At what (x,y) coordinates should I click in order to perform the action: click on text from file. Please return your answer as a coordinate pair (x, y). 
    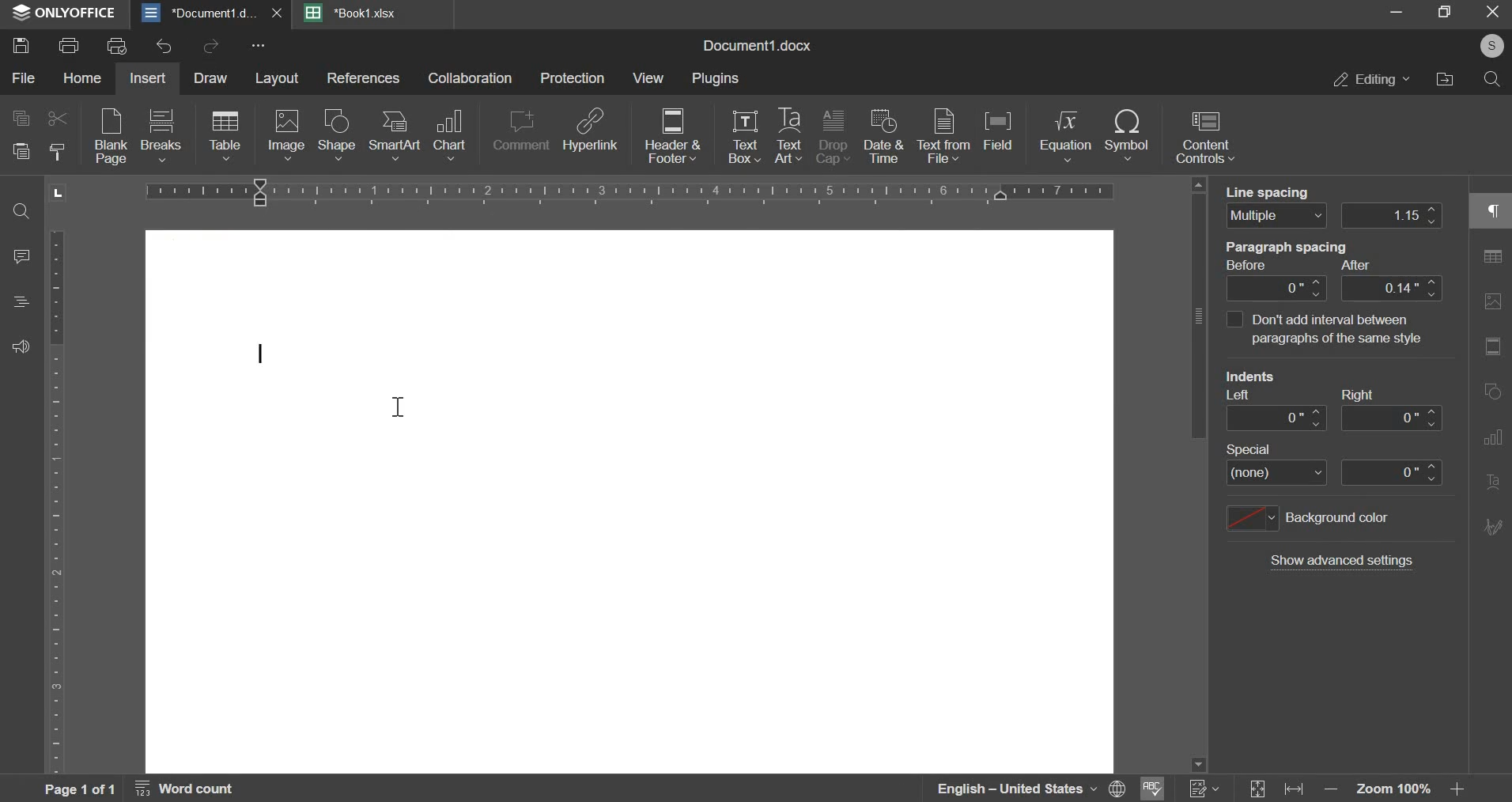
    Looking at the image, I should click on (943, 136).